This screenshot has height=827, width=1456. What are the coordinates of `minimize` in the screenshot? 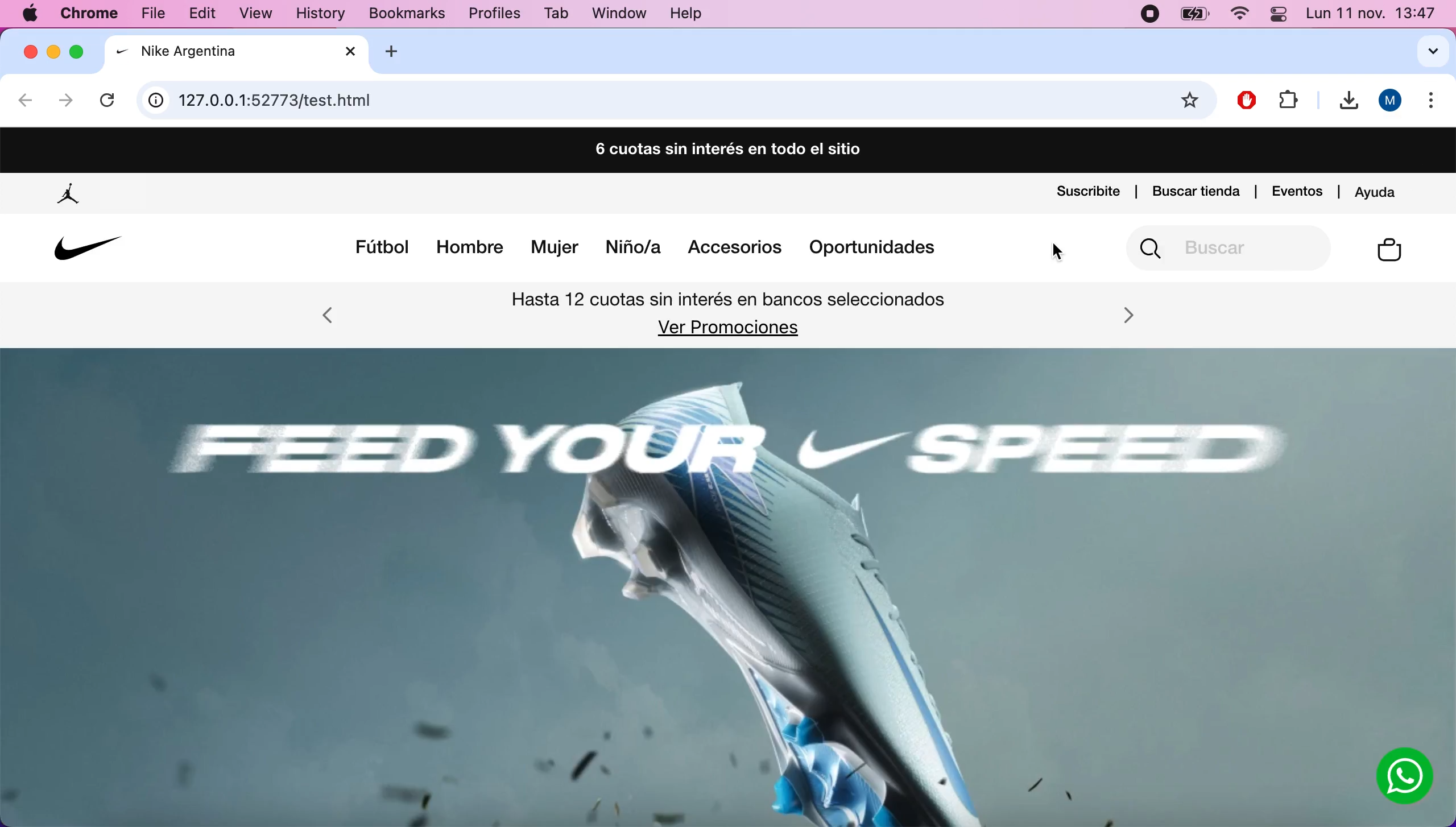 It's located at (55, 53).